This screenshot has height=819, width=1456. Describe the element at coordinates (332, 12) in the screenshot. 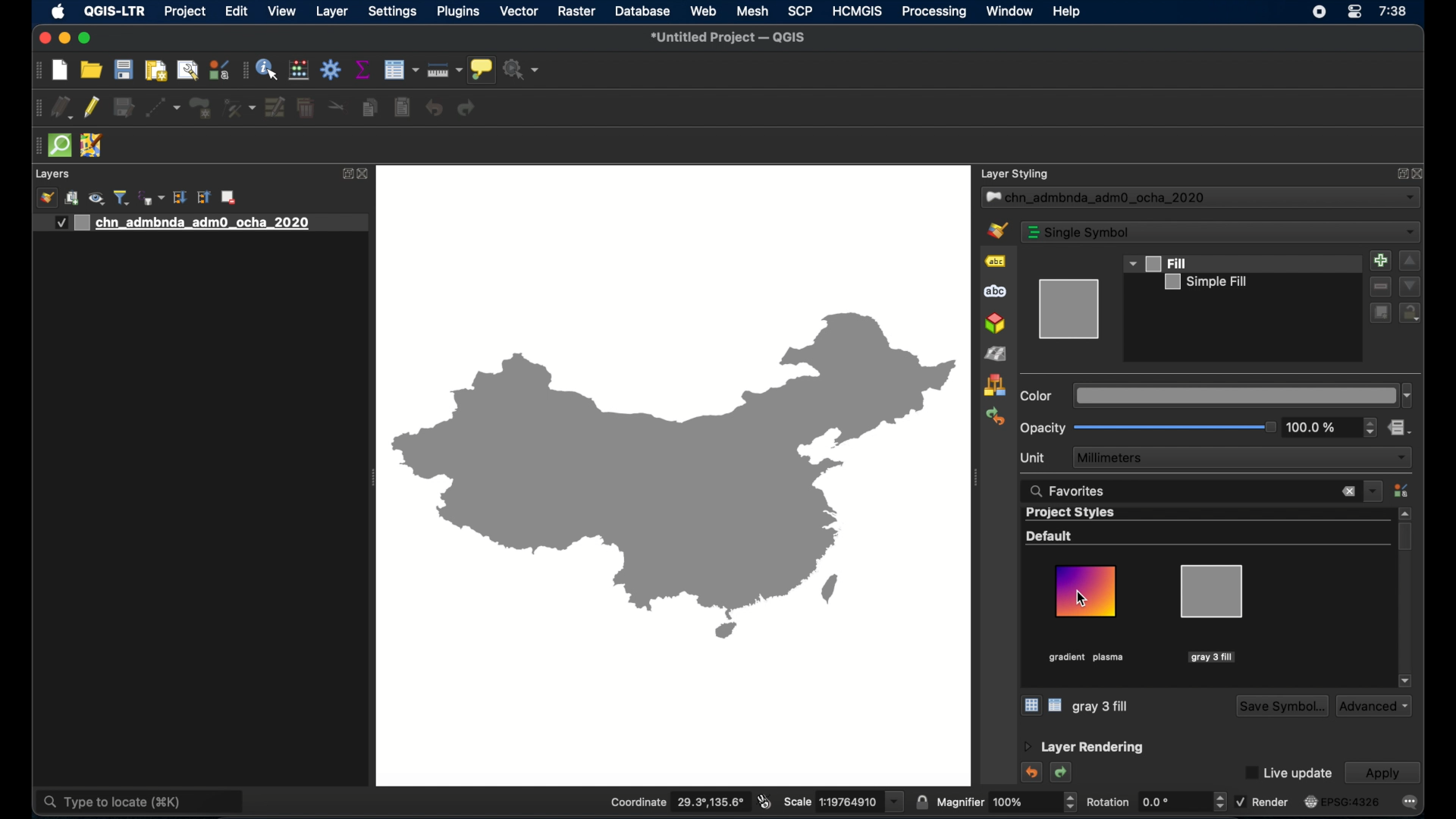

I see `layer` at that location.